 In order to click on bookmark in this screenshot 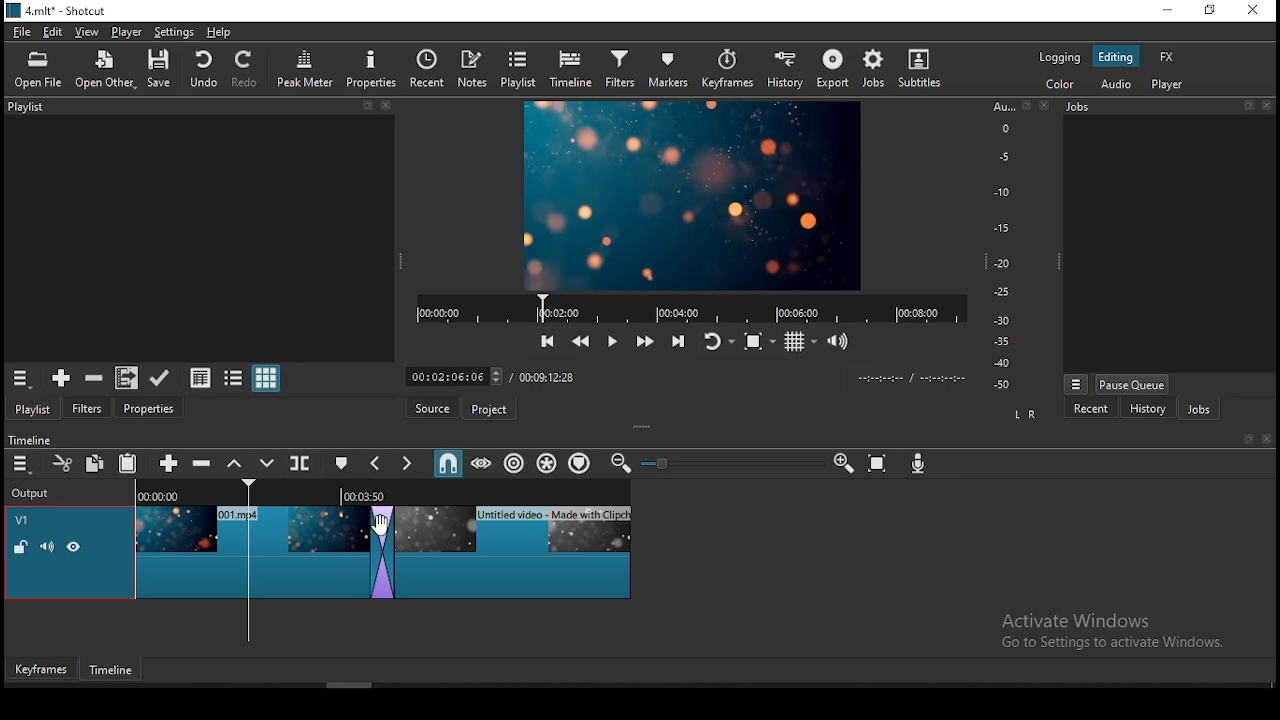, I will do `click(1243, 439)`.